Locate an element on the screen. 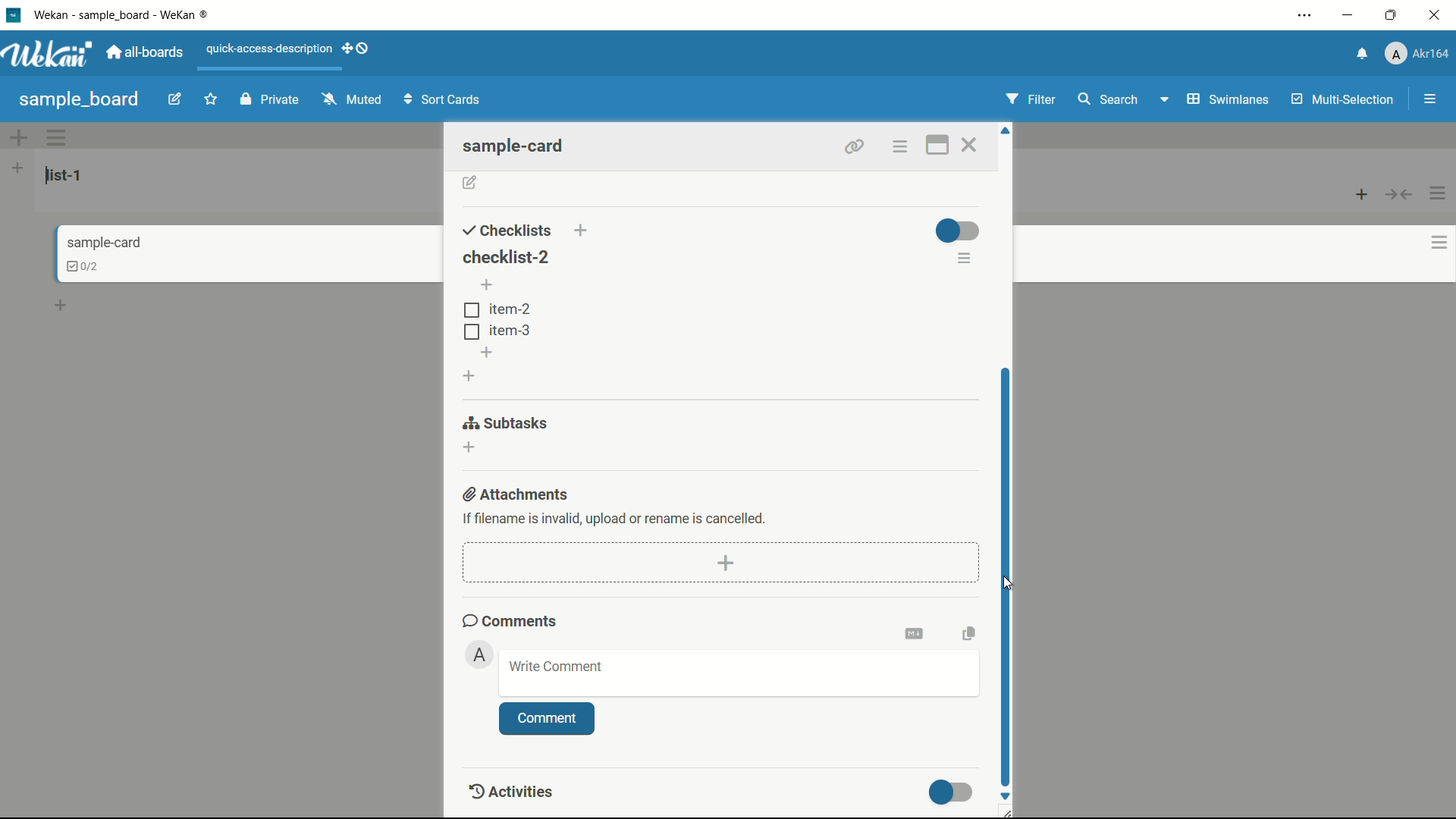  star this board is located at coordinates (212, 101).